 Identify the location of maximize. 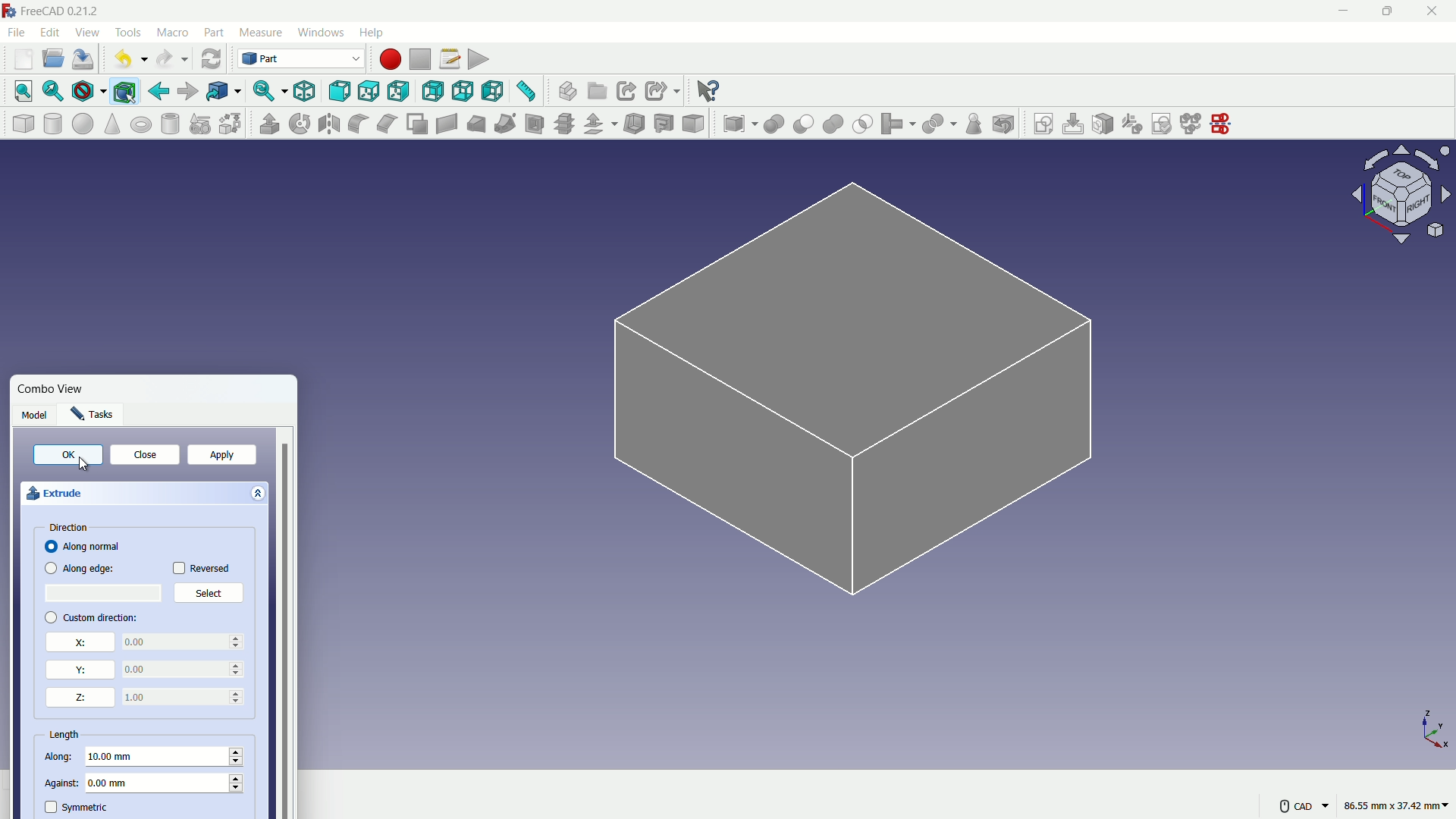
(1391, 12).